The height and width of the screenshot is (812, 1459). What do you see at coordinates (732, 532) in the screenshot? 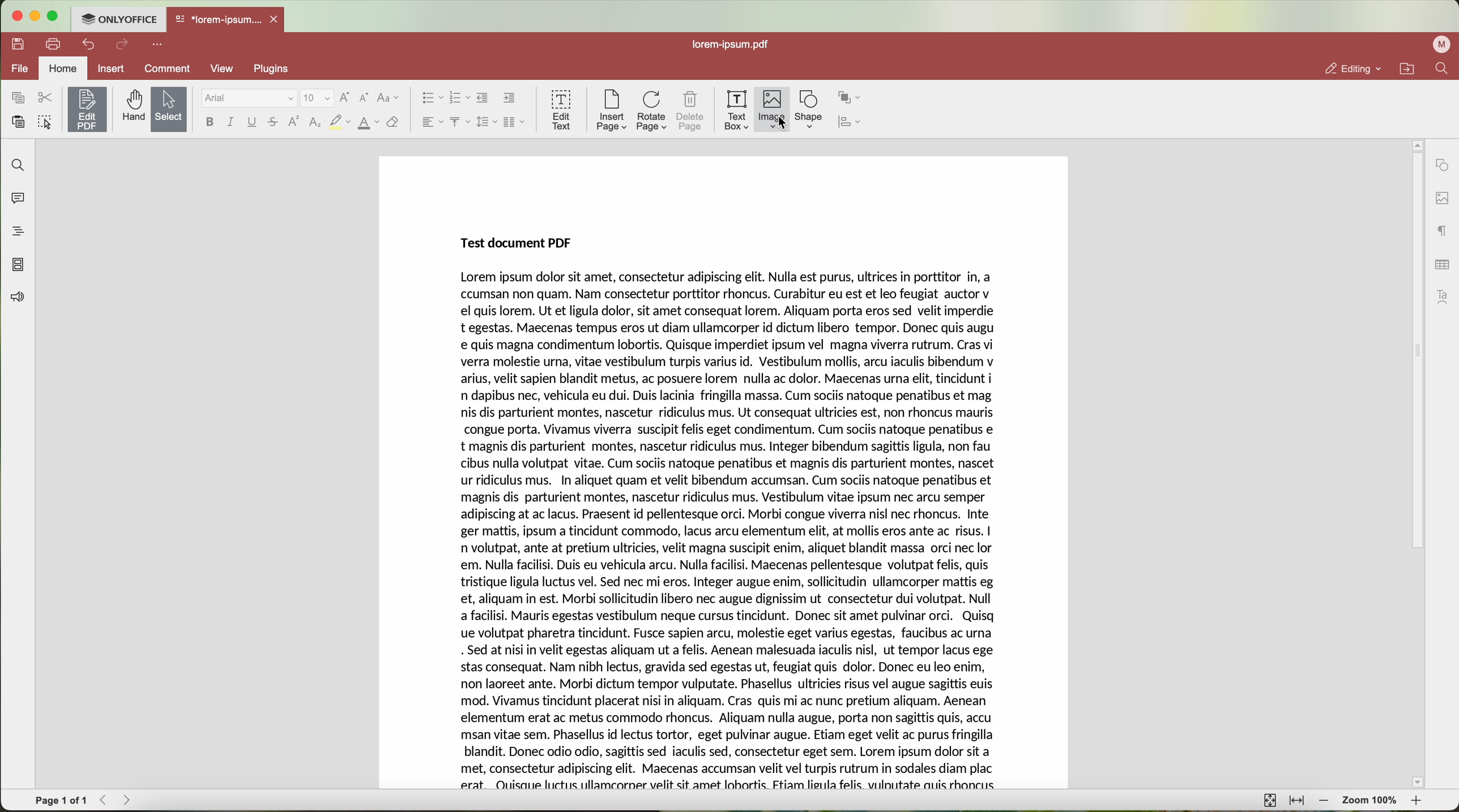
I see `Lorem Ipsum dolor sit amet, consectetur adipiscing elit. Nulla est purus, ultrices in porttitor in, a
ccumsan non quam. Nam consectetur porttitor rhoncus. Curabitur eu est et leo feugiat auctor v
el quis lorem. Ut et ligula dolor, sit amet consequat lorem. Aliquam porta eros sed velit imperdie
t egestas. Maecenas tempus eros ut diam ullamcorper id dictum libero tempor. Donec quis augu
e quis magna condimentum lobortis. Quisque imperdiet ipsum vel magna viverra rutrum. Cras vi
verra molestie urna, vitae vestibulum turpis varius id. Vestibulum mollis, arcu iaculis bibendum v
arius, velit sapien blandit metus, ac posuere lorem nulla ac dolor. Maecenas urna elit, tincidunt i
n dapibus nec, vehicula eu dui. Duis lacinia fringilla massa. Cum sociis natoque penatibus et mag
nis dis parturient montes, nascetur ridiculus mus. Ut consequat ultricies est, non rhoncus mauris
congue porta. Vivamus viverra suscipit felis eget condimentum. Cum sociis natoque penatibus e
t magnis dis parturient montes, nascetur ridiculus mus. Integer bibendum sagittis ligula, non fau
cibus nulla volutpat vitae. Cum sociis natoque penatibus et magnis dis parturient montes, nascet
ur ridiculus mus. In aliquet quam et velit bibendum accumsan. Cum sociis natoque penatibus et
magnis dis parturient montes, nascetur ridiculus mus. Vestibulum vitae ipsum nec arcu semper
adipiscing at ac lacus. Praesent id pellentesque orci. Morbi congue viverra nisl nec rhoncus. Inte
ger mattis, ipsum a tincidunt commodo, lacus arcu elementum elit, at mollis eros ante ac risus. |
n volutpat, ante at pretium ultricies, velit magna suscipit enim, aliquet blandit massa orci nec lor
em. Nulla facilisi. Duis eu vehicula arcu. Nulla facilisi. Maecenas pellentesque volutpat felis, quis
tristique ligula luctus vel. Sed nec mi eros. Integer augue enim, sollicitudin ullamcorper mattis eg
et, aliquam in est. Morbi sollicitudin libero nec augue dignissim ut consectetur dui volutpat. Null
a facilisi. Mauris egestas vestibulum neque cursus tincidunt. Donec sit amet pulvinar orci. Quisq
ue volutpat pharetra tincidunt. Fusce sapien arcu, molestie eget varius egestas, faucibus ac urna
. Sed at nisi in velit egestas aliquam ut a felis. Aenean malesuada iaculis nisl, ut tempor lacus ege
stas consequat. Nam nibh lectus, gravida sed egestas ut, feugiat quis dolor. Donec eu leo enim,
non laoreet ante. Morbi dictum tempor vulputate. Phasellus ultricies risus vel augue sagittis euis
mod. Vivamus tincidunt placerat nisi in aliquam. Cras quis mi ac nunc pretium aliquam. Aenean
elementum erat ac metus commodo rhoncus. Aliquam nulla augue, porta non sagittis quis, accu
msan vitae sem. Phasellus id lectus tortor, eget pulvinar augue. Etiam eget velit ac purus fringilla
blandit. Donec odio odio, sagittis sed iaculis sed, consectetur eget sem. Lorem ipsum dolor sit a
met, consectetur adipiscing elit. Maecenas accumsan velit vel turpis rutrum in sodales diam plac
erat. Ouisaue luctus ullamcorner velit sit amet lobortis Ftiam ligula felis. vulnutate auis rhoncus` at bounding box center [732, 532].